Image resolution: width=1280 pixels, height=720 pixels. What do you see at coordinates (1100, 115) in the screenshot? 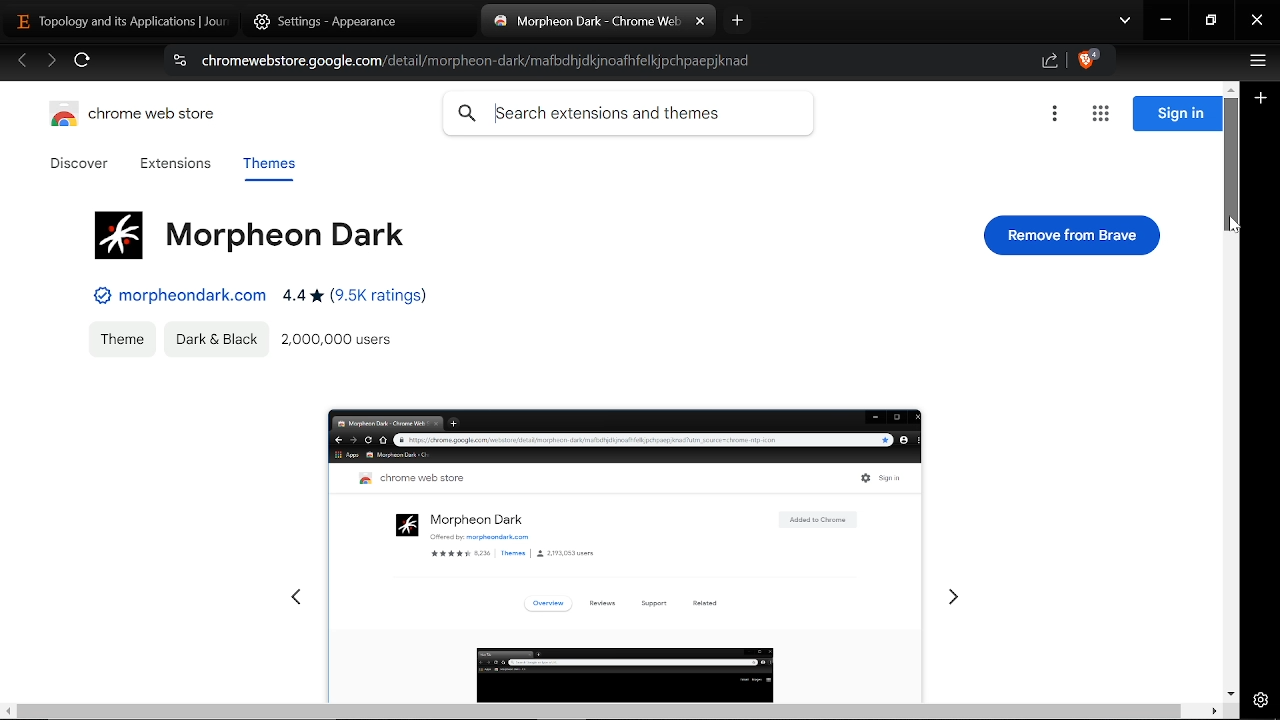
I see `Apps` at bounding box center [1100, 115].